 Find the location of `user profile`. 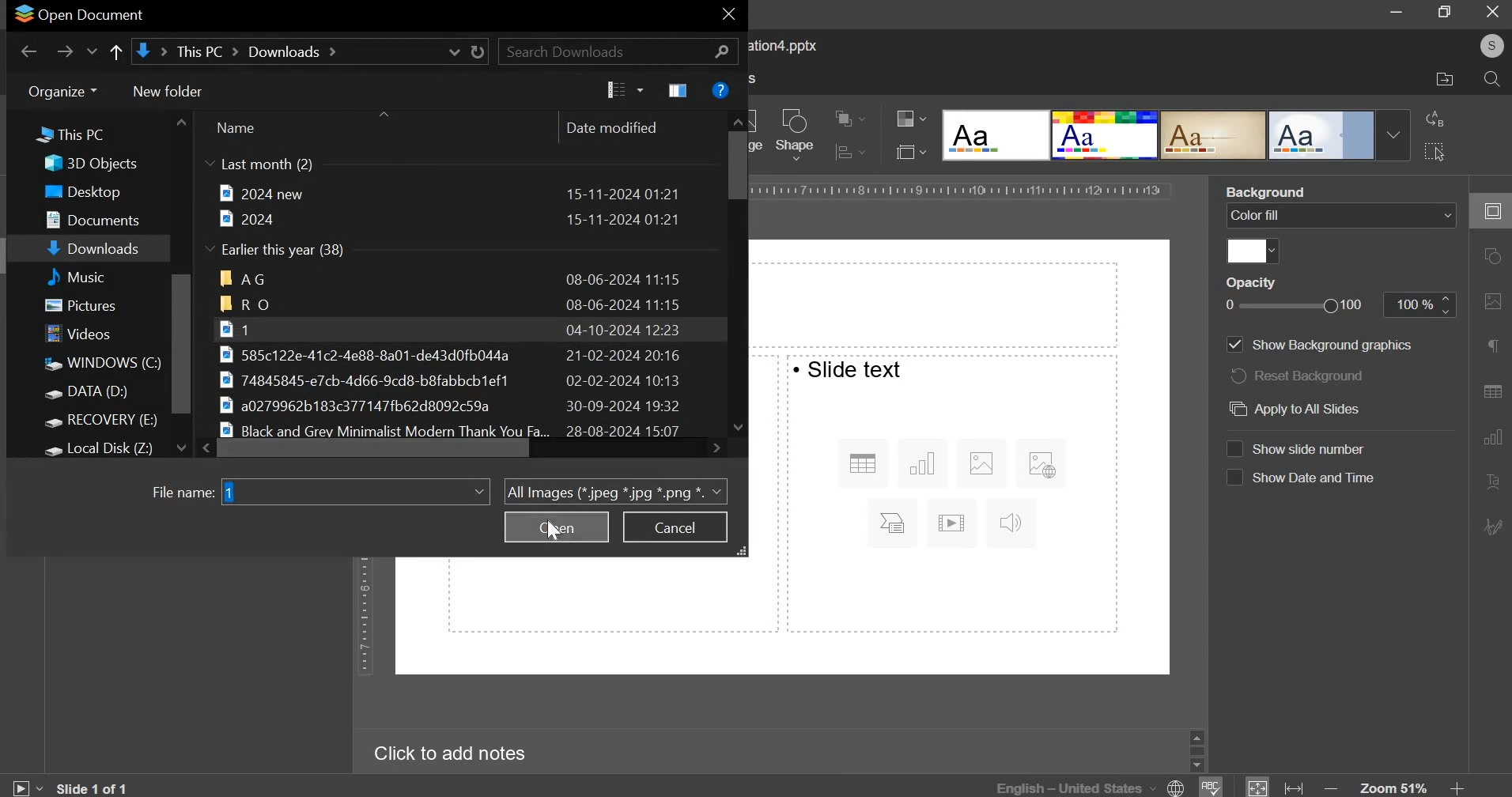

user profile is located at coordinates (1491, 46).